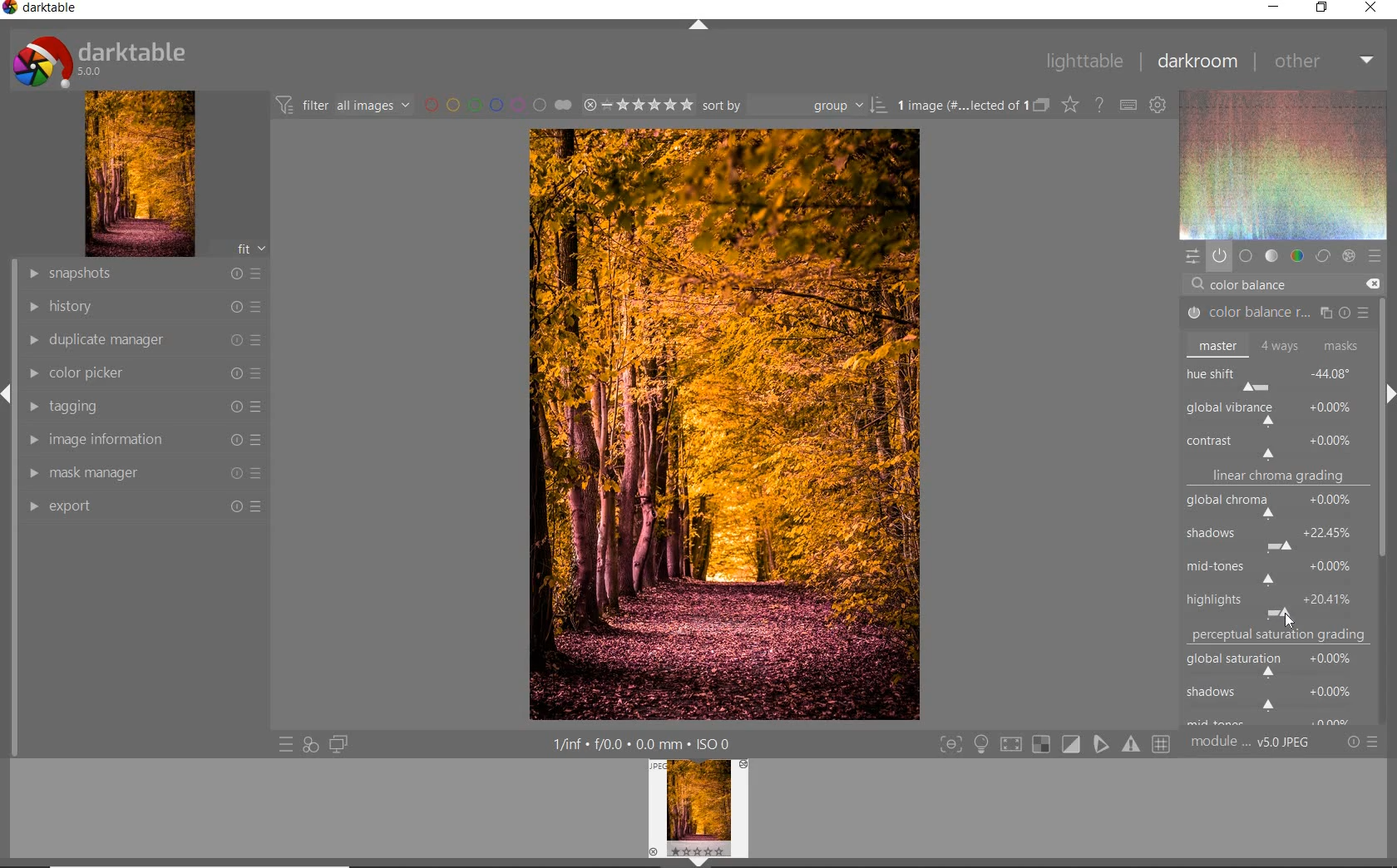 The width and height of the screenshot is (1397, 868). What do you see at coordinates (1296, 256) in the screenshot?
I see `color ` at bounding box center [1296, 256].